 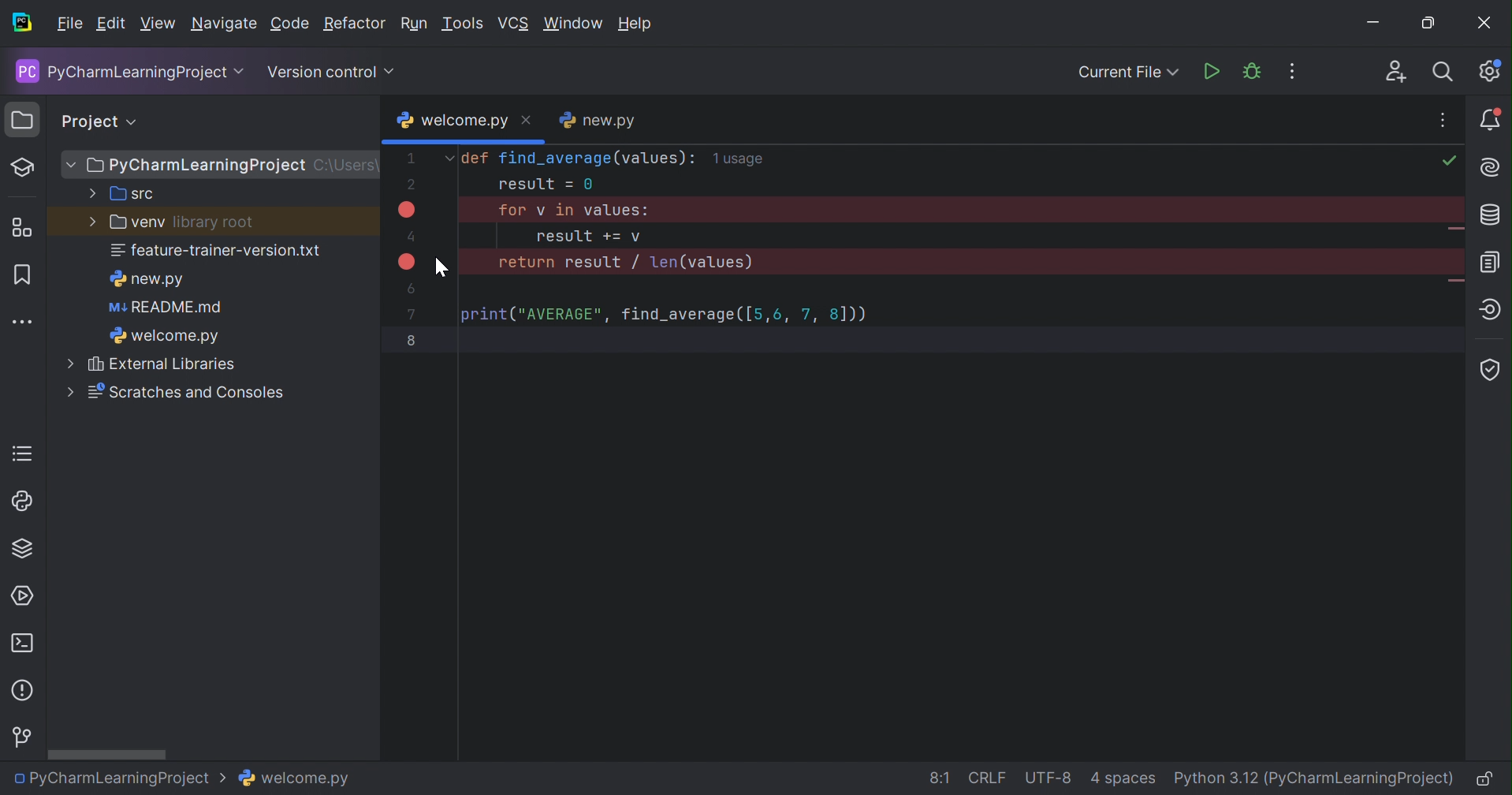 What do you see at coordinates (411, 289) in the screenshot?
I see `6` at bounding box center [411, 289].